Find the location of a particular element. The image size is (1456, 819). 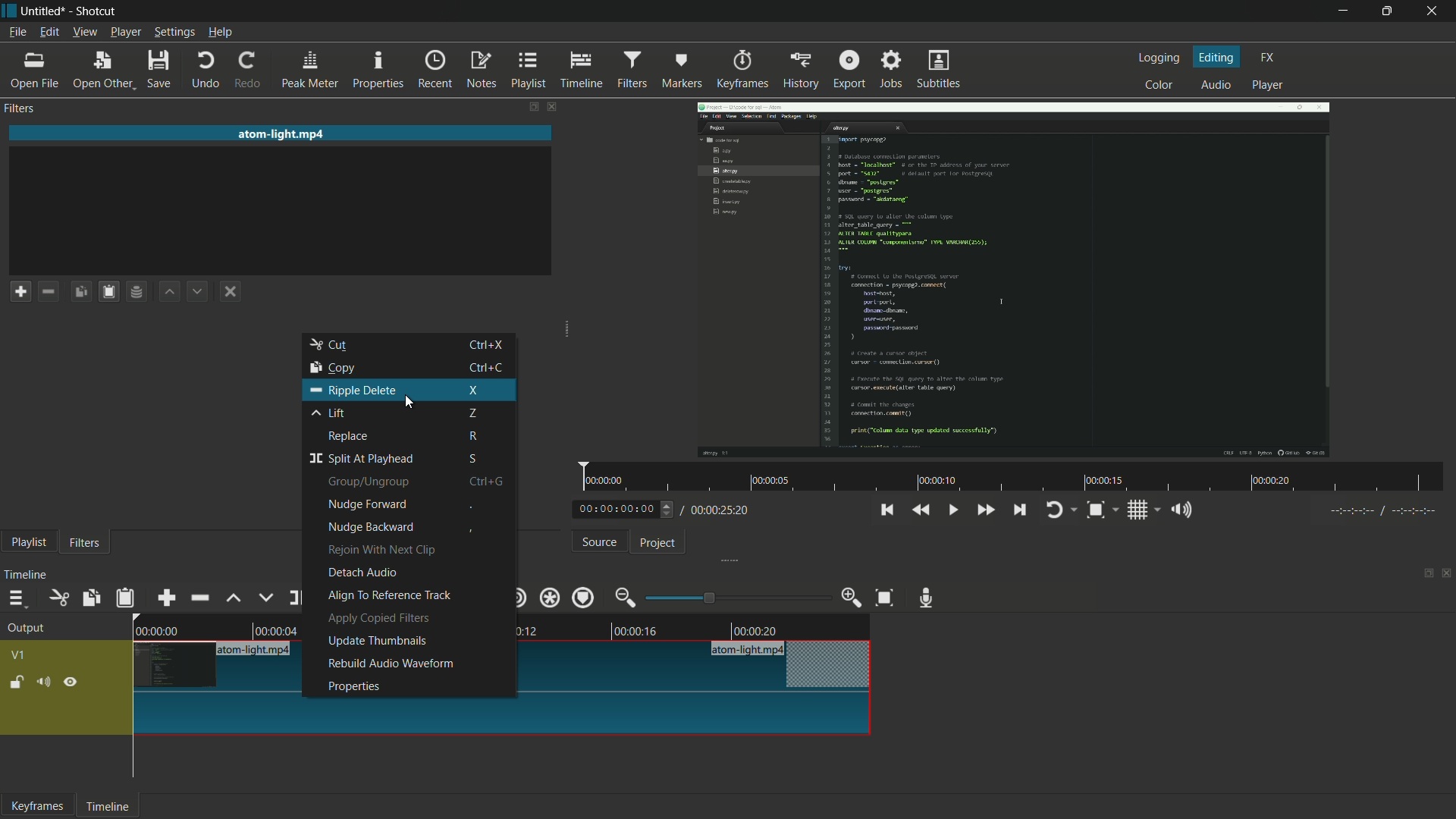

project tab is located at coordinates (657, 544).